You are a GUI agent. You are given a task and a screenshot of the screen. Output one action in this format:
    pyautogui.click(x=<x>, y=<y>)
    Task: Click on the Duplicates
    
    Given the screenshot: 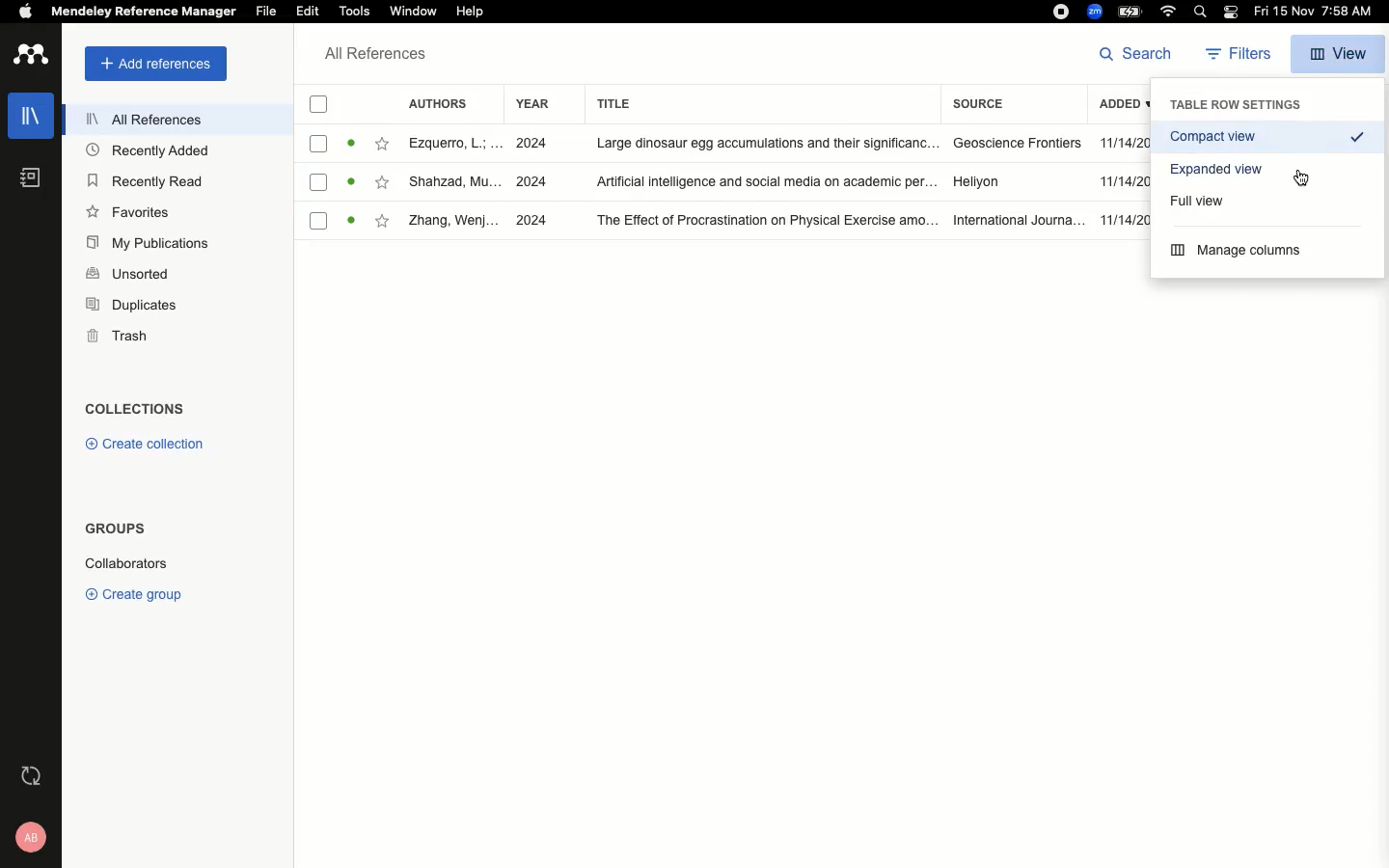 What is the action you would take?
    pyautogui.click(x=129, y=307)
    